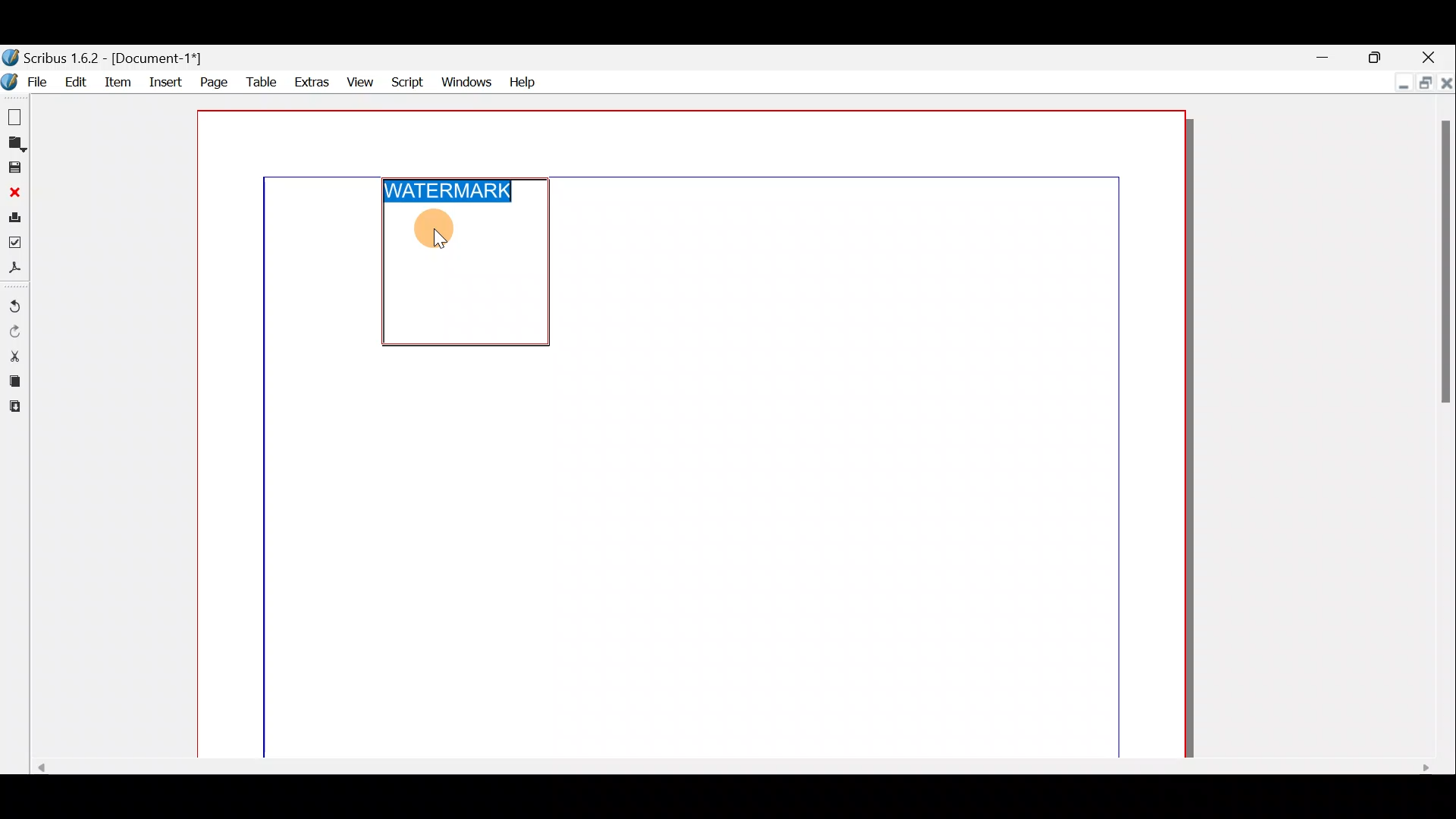 The width and height of the screenshot is (1456, 819). Describe the element at coordinates (14, 145) in the screenshot. I see `Open` at that location.